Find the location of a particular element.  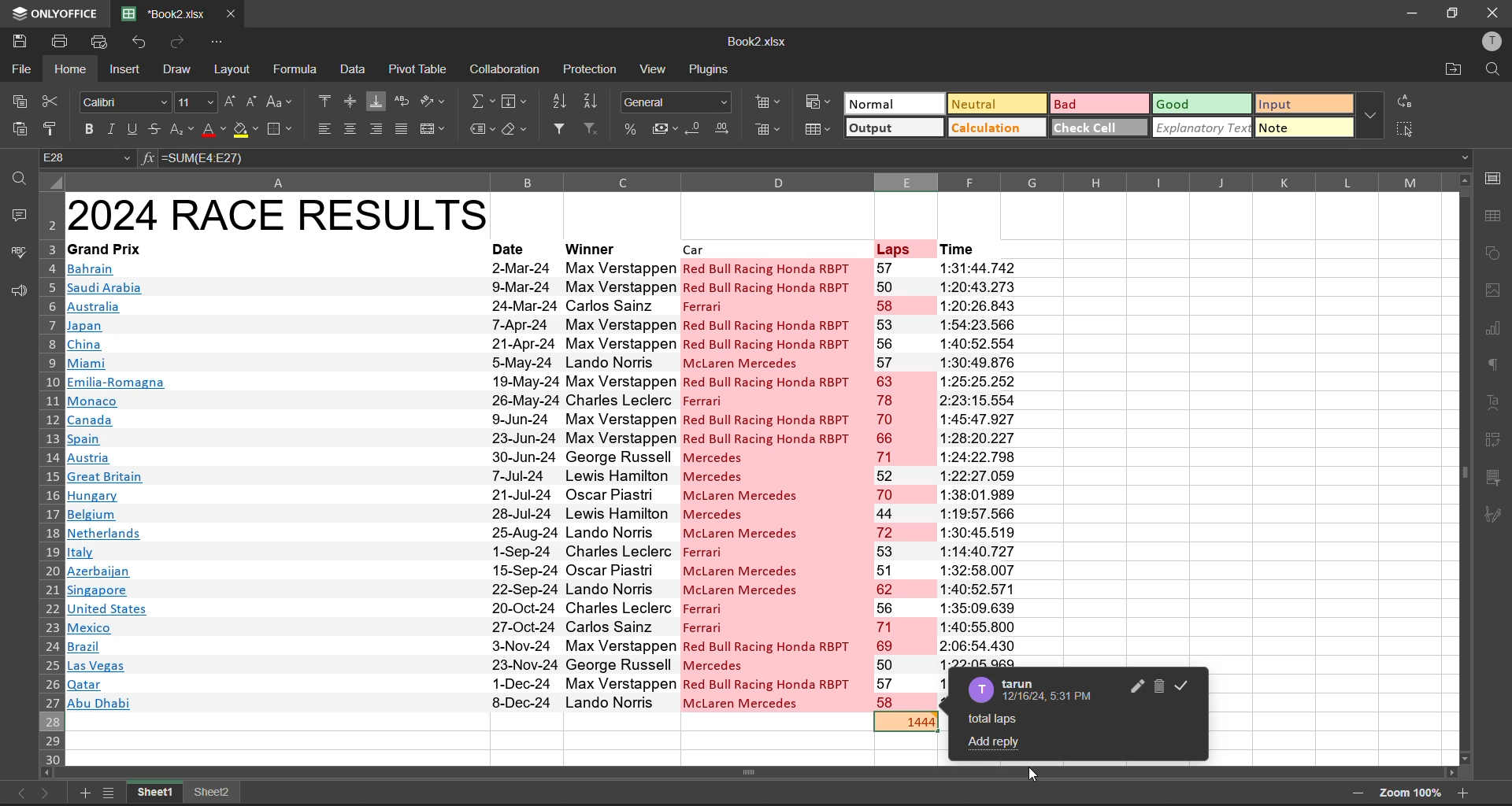

totsl laps is located at coordinates (912, 723).